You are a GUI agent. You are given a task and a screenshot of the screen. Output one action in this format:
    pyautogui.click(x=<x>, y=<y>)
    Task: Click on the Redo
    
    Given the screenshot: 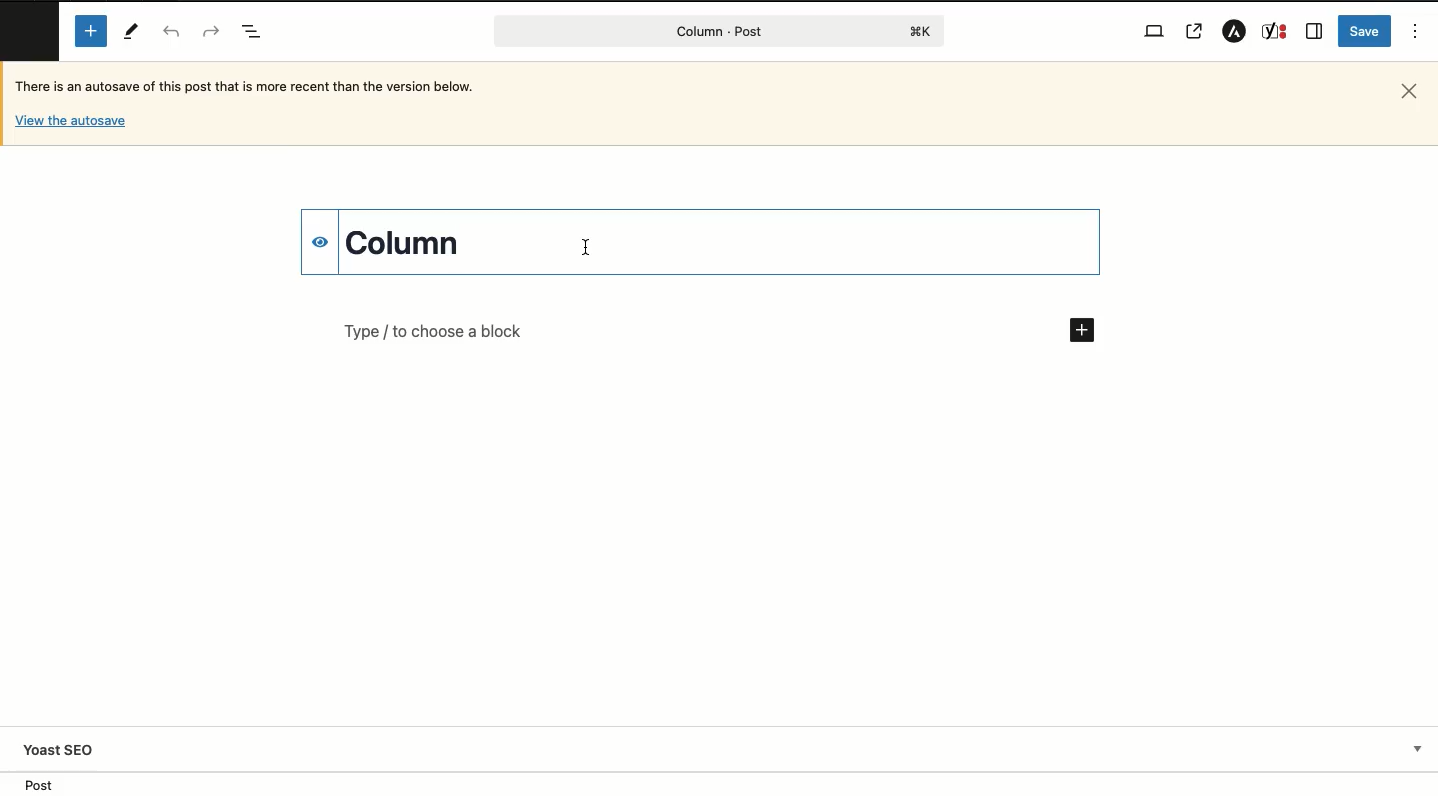 What is the action you would take?
    pyautogui.click(x=212, y=31)
    